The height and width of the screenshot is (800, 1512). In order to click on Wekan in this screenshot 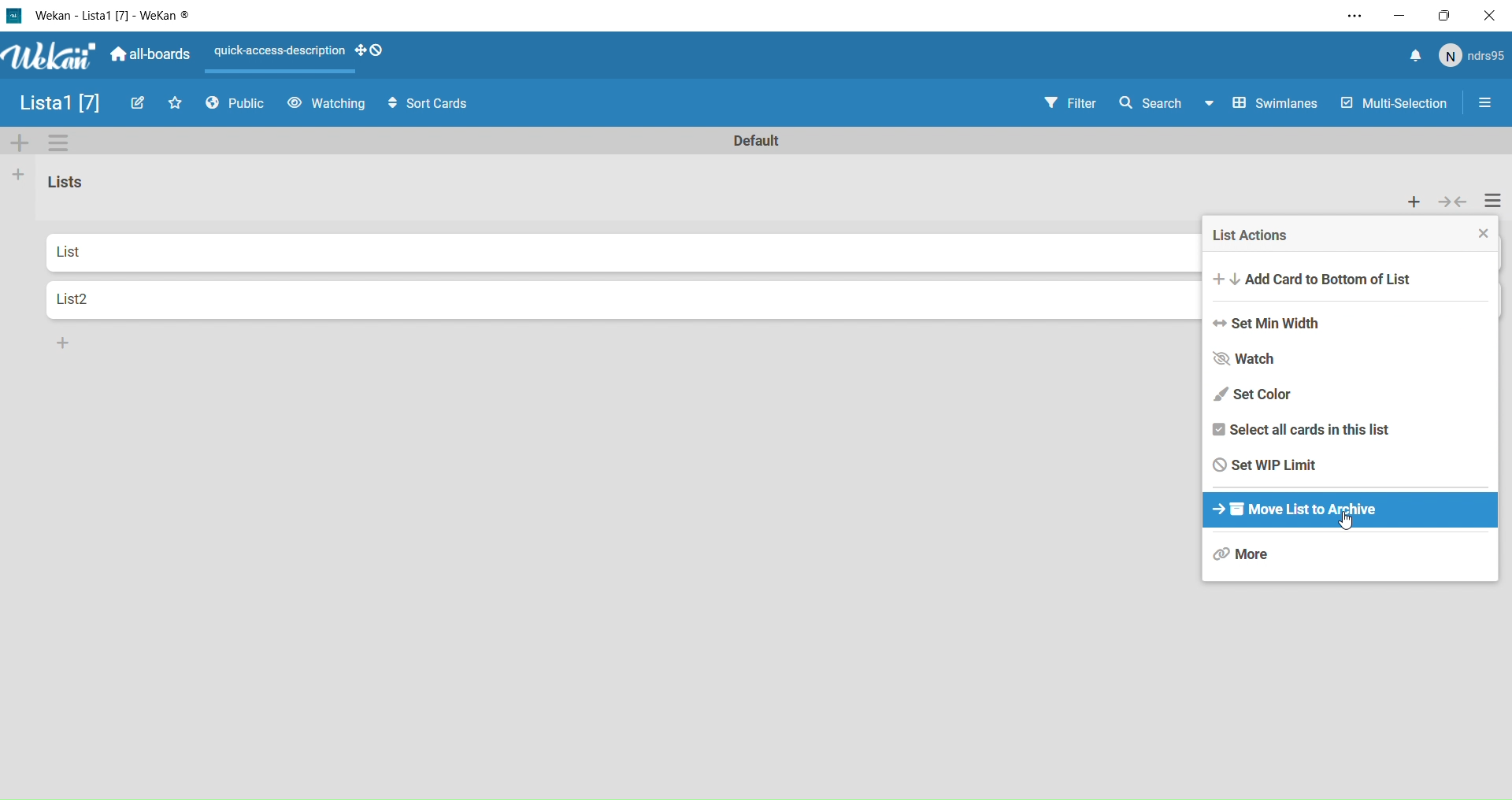, I will do `click(100, 15)`.